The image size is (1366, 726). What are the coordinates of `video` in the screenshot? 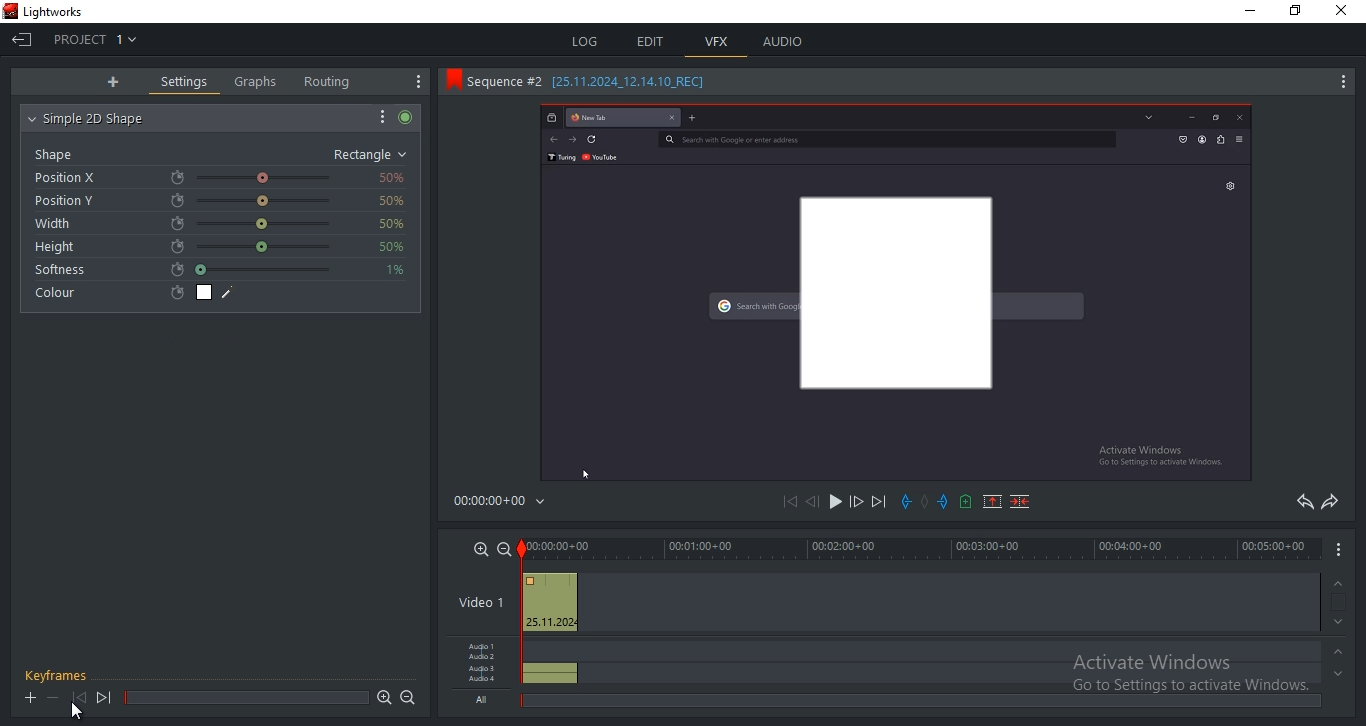 It's located at (548, 603).